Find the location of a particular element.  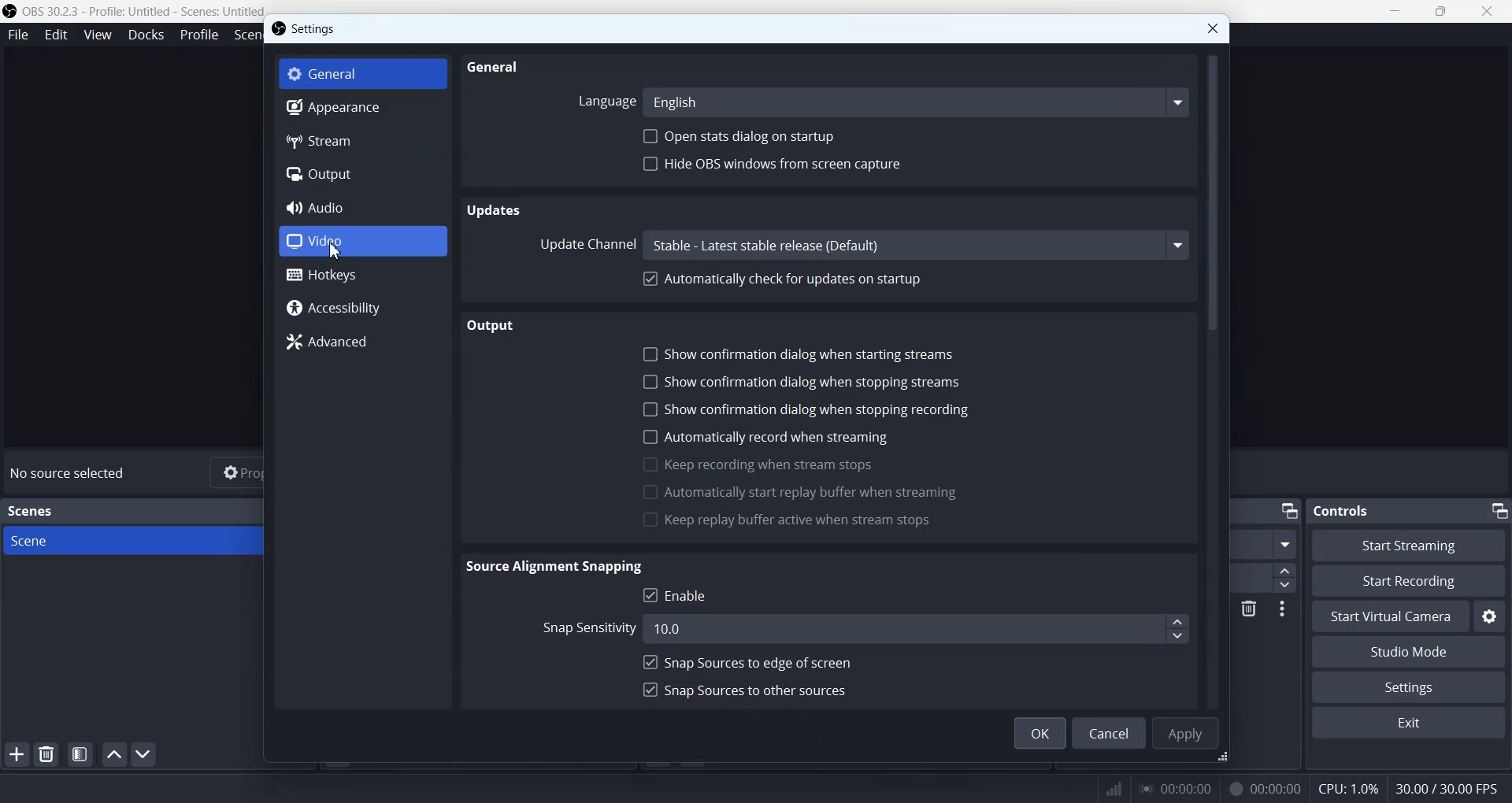

Edit is located at coordinates (57, 36).